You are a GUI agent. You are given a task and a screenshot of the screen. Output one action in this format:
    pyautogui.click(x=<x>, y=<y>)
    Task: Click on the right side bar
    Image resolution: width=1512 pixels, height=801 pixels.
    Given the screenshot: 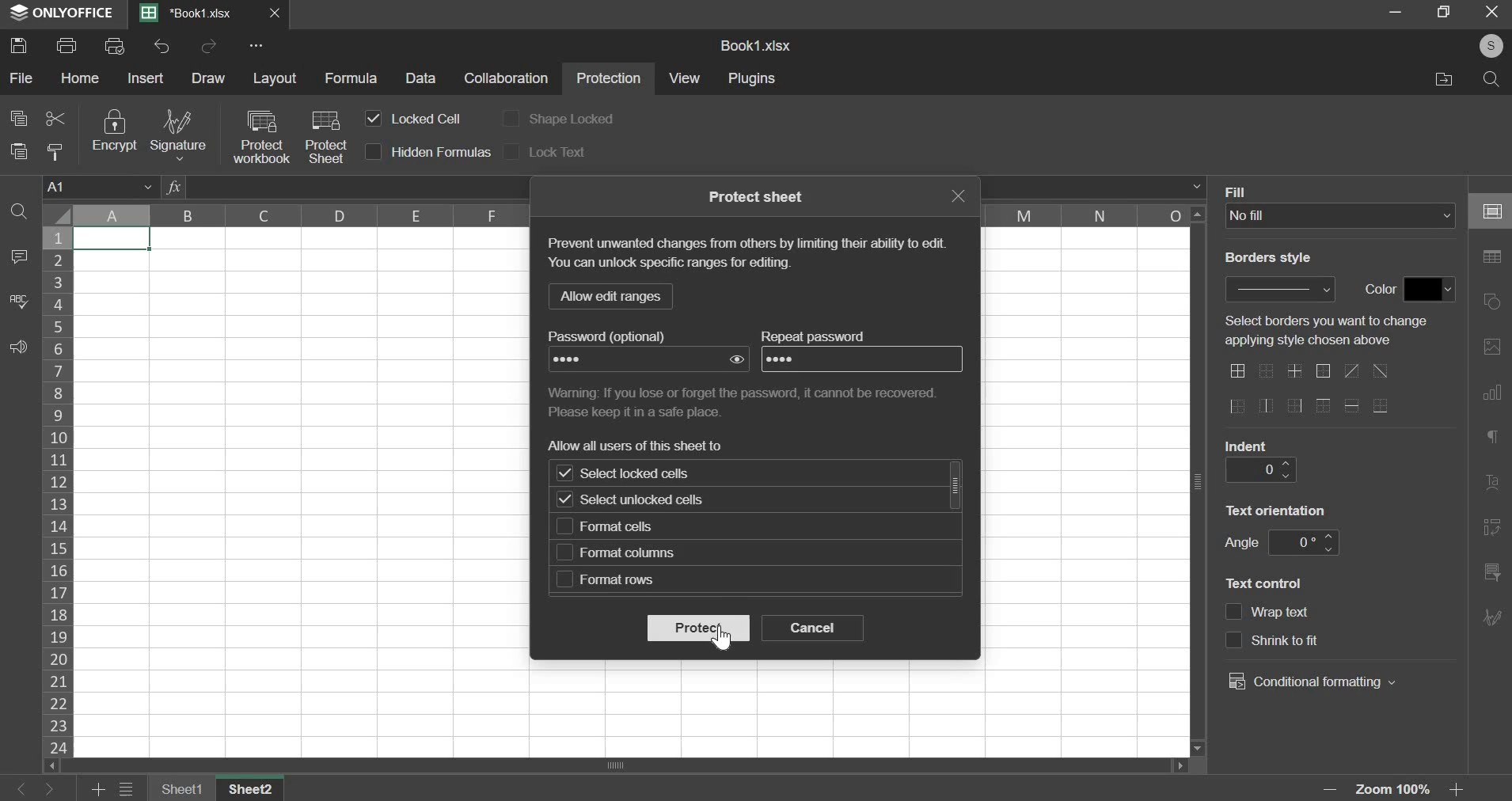 What is the action you would take?
    pyautogui.click(x=1492, y=346)
    